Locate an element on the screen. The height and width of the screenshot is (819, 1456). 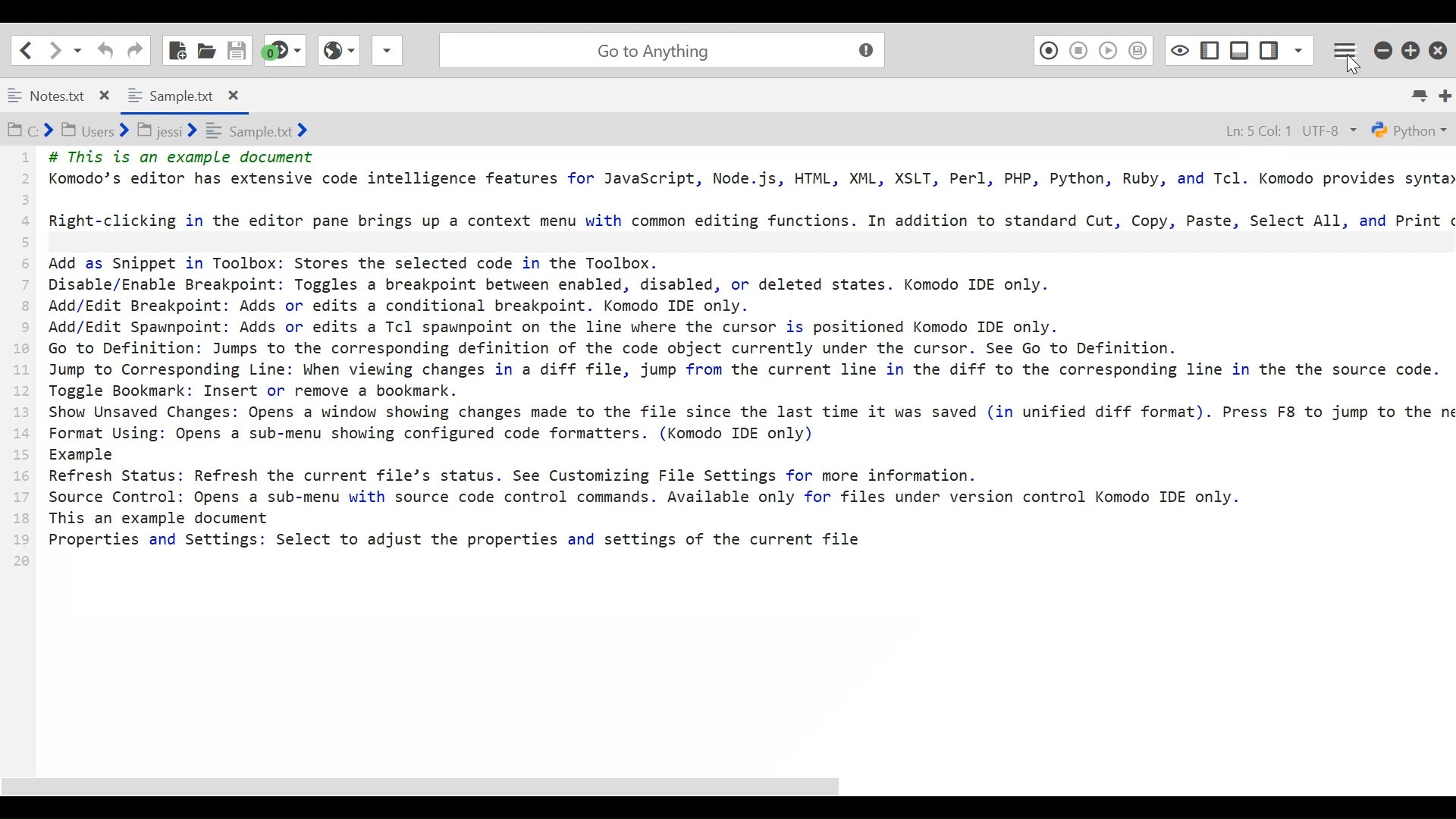
Toggle focus mode is located at coordinates (1180, 49).